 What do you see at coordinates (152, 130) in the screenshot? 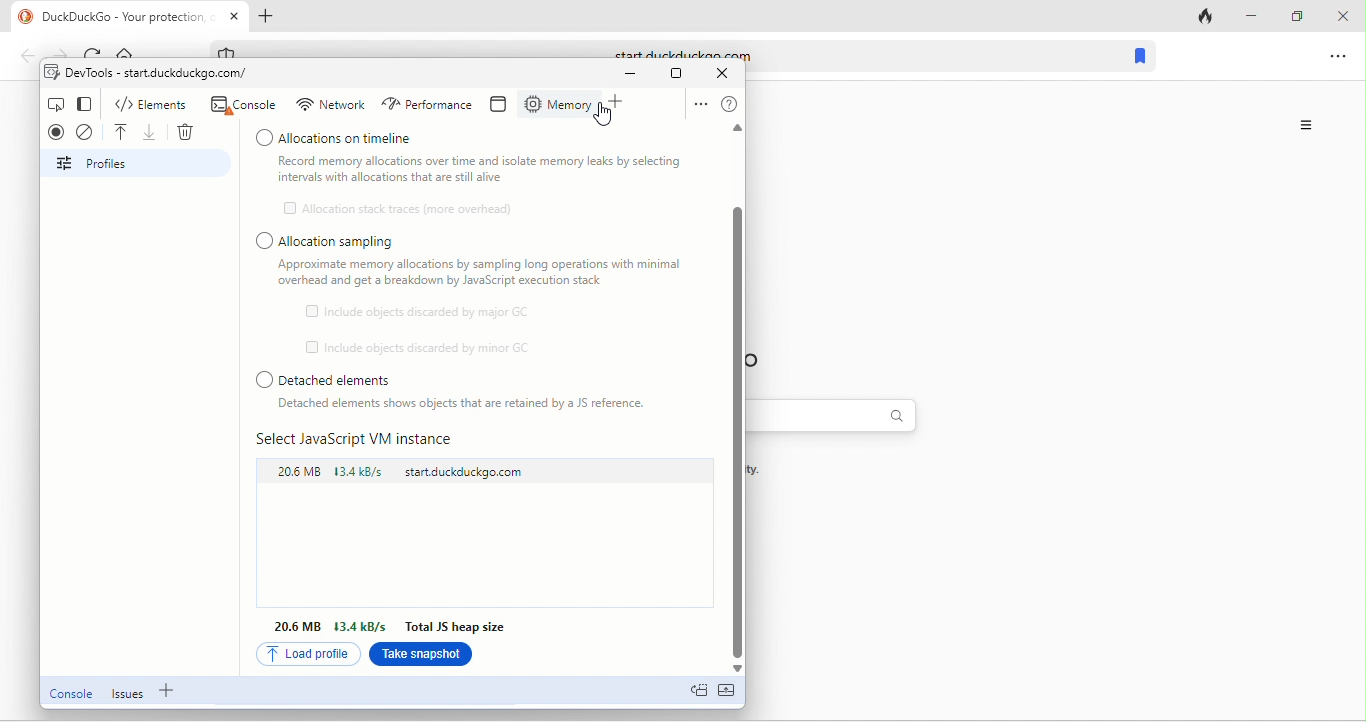
I see `download` at bounding box center [152, 130].